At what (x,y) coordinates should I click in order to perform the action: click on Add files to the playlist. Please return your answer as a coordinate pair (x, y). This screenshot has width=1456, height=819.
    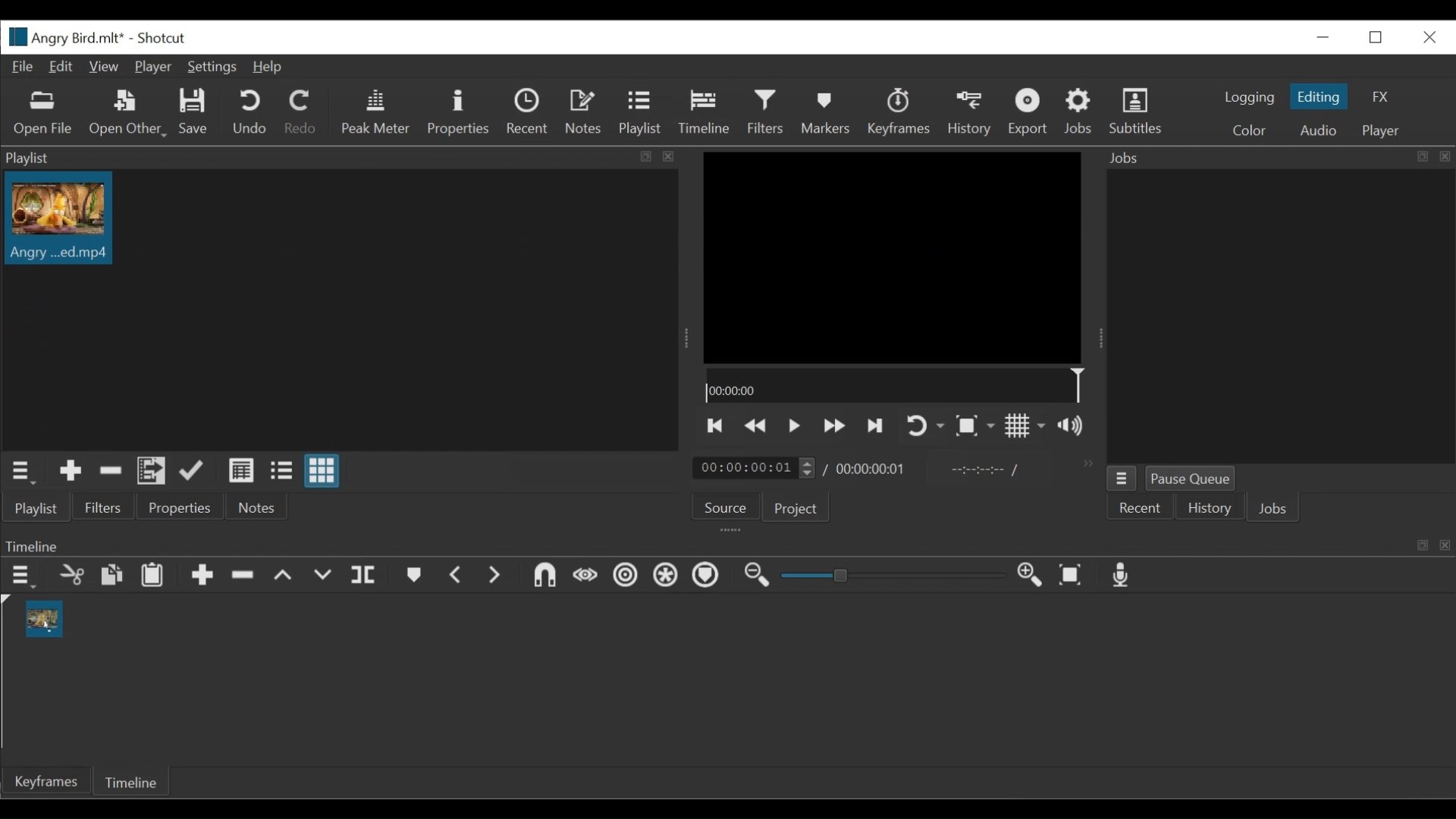
    Looking at the image, I should click on (151, 472).